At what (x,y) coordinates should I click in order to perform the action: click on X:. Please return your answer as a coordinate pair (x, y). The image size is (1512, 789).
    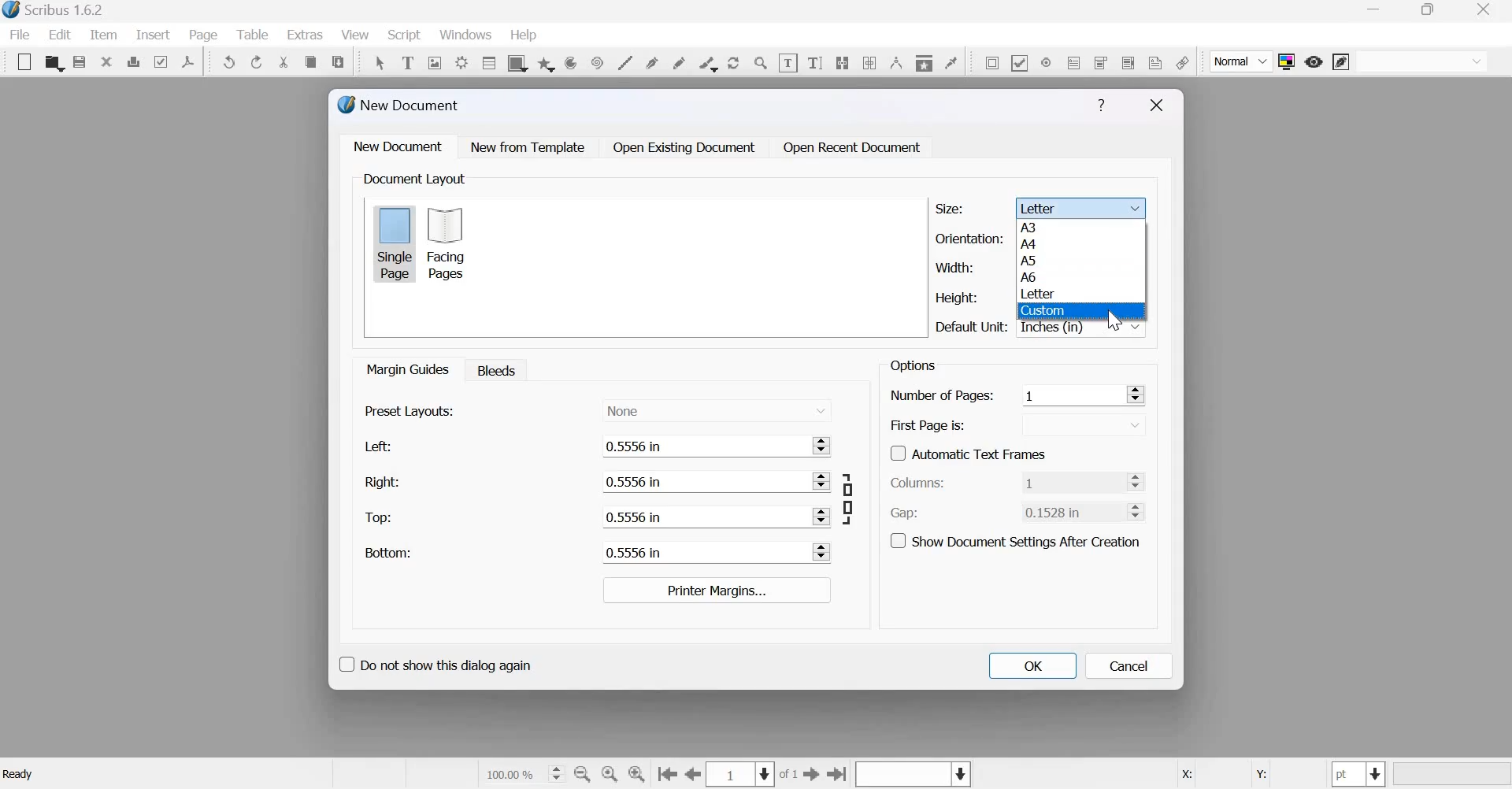
    Looking at the image, I should click on (1185, 775).